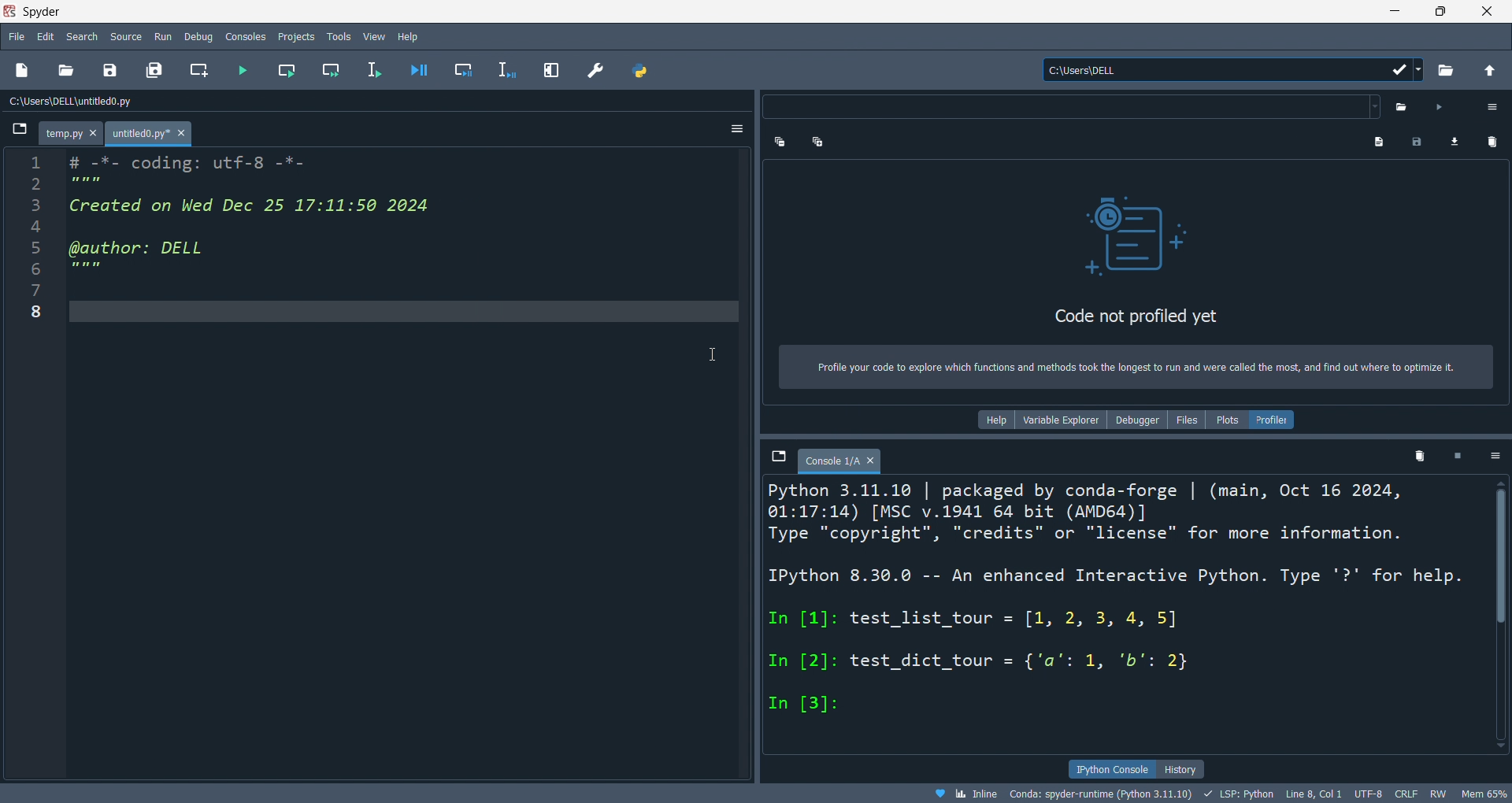 This screenshot has height=803, width=1512. What do you see at coordinates (150, 135) in the screenshot?
I see `tab - untitled0.py` at bounding box center [150, 135].